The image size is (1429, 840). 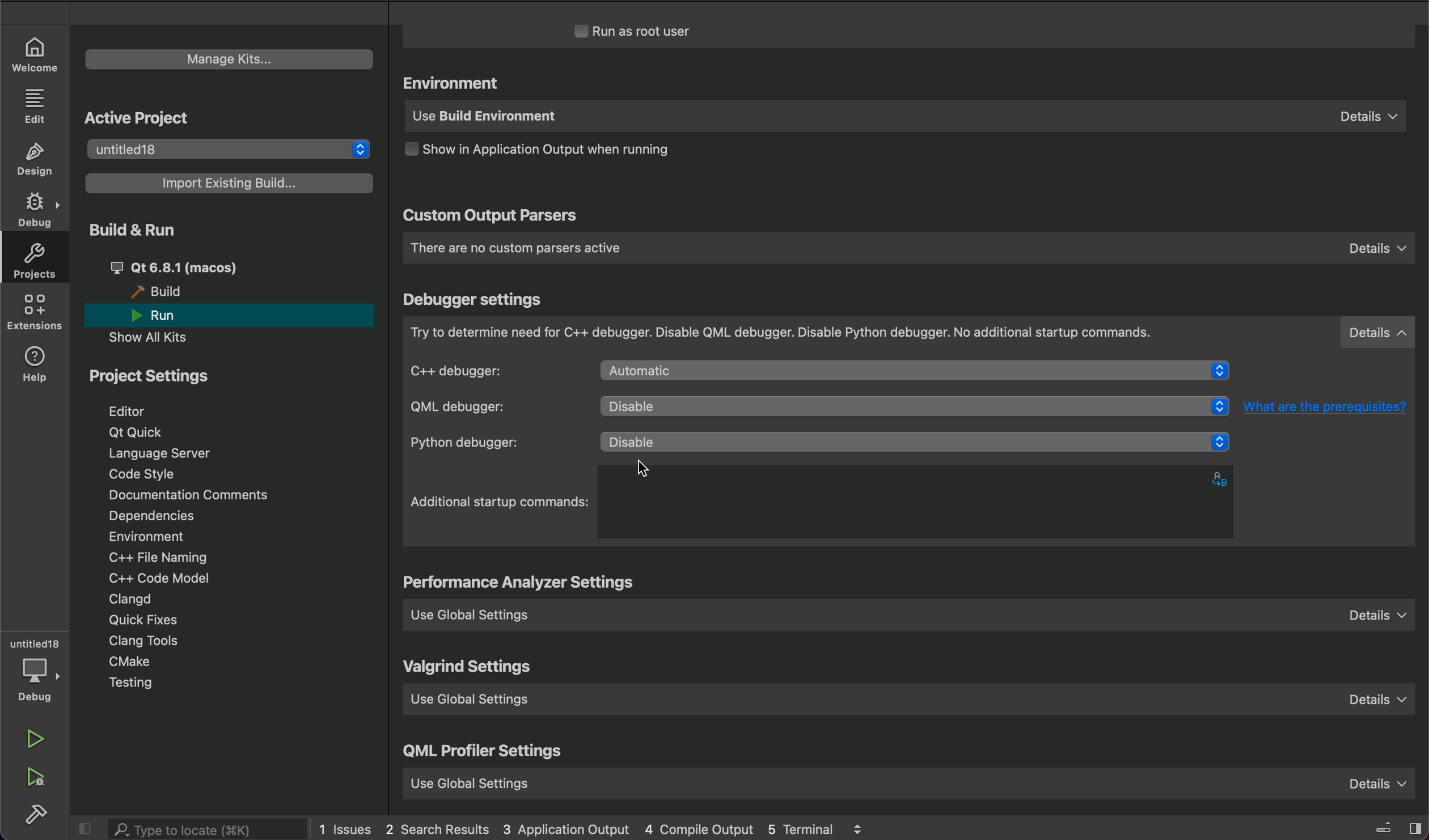 What do you see at coordinates (35, 53) in the screenshot?
I see `WELCOME` at bounding box center [35, 53].